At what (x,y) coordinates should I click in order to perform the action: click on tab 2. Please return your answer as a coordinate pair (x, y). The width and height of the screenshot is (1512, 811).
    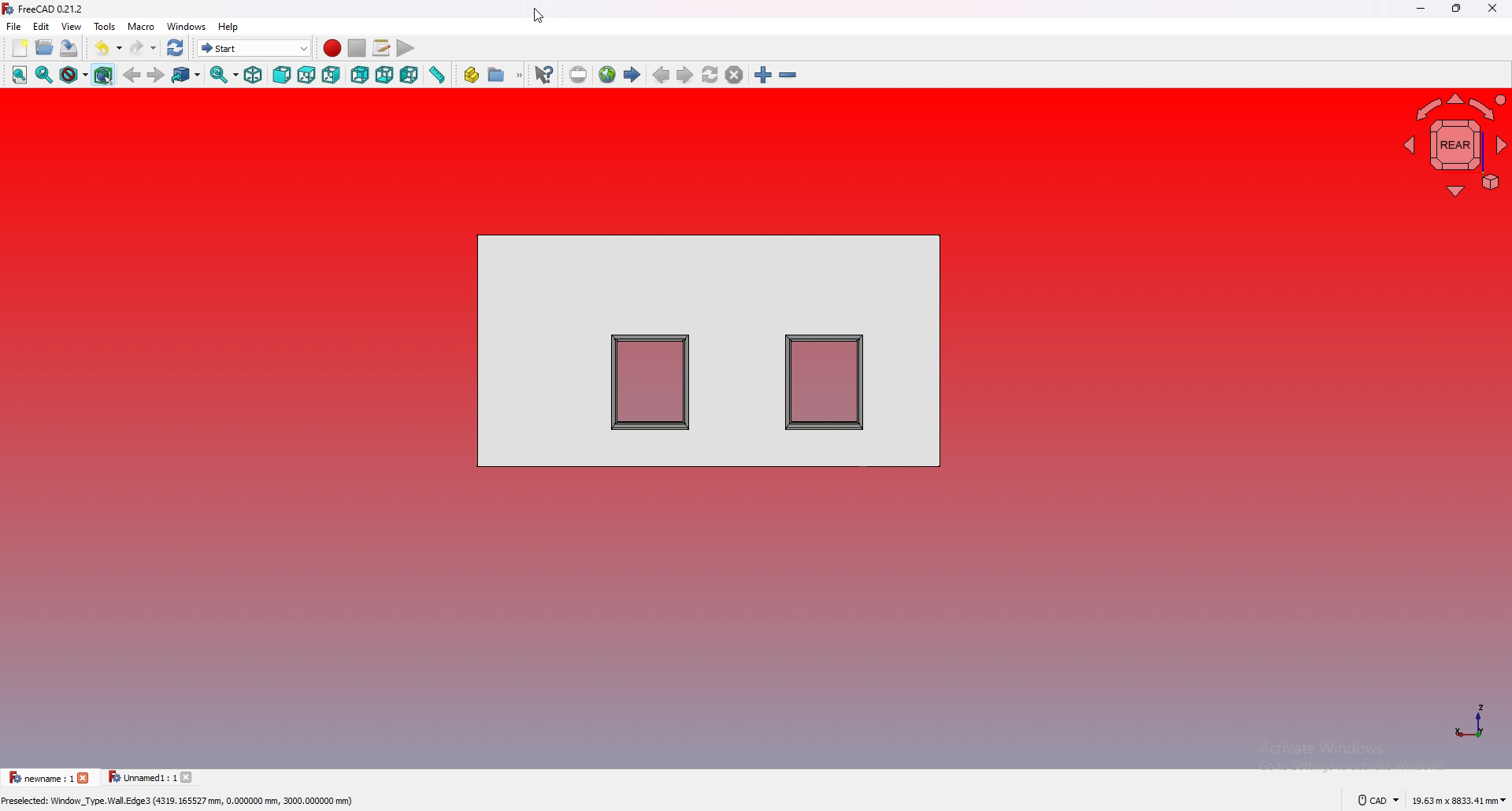
    Looking at the image, I should click on (151, 778).